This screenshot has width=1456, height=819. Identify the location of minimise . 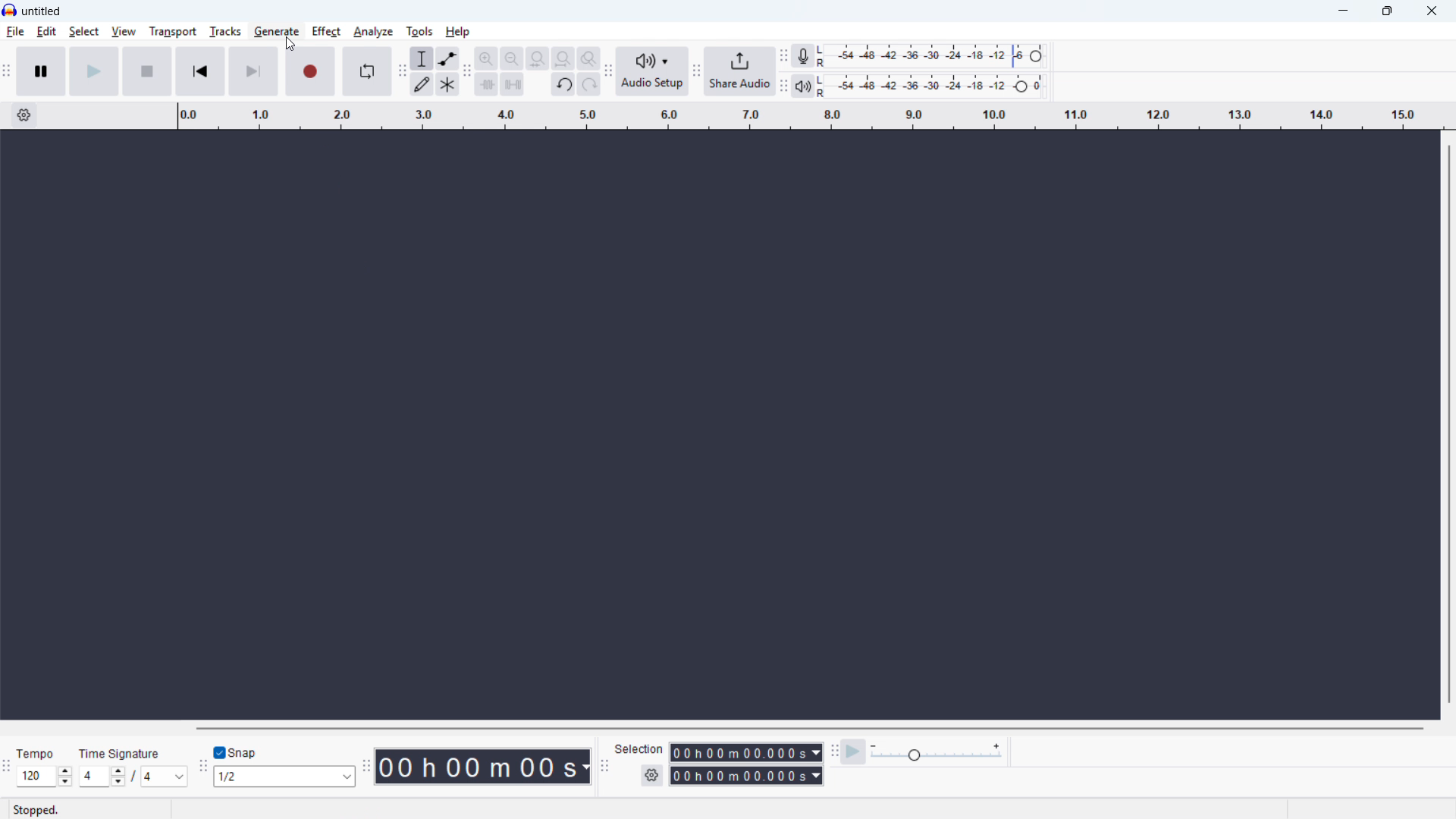
(1345, 11).